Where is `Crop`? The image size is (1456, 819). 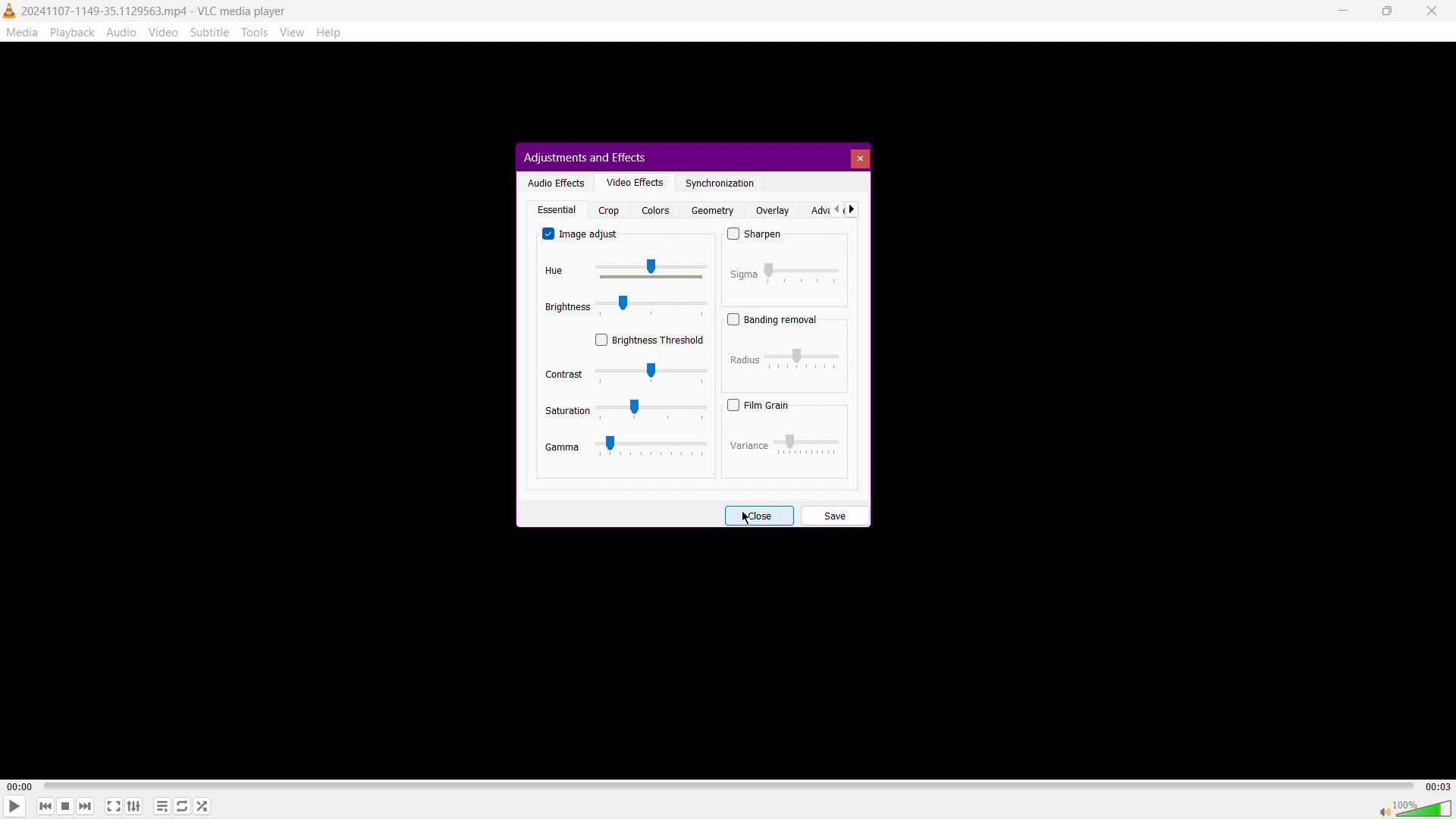
Crop is located at coordinates (609, 210).